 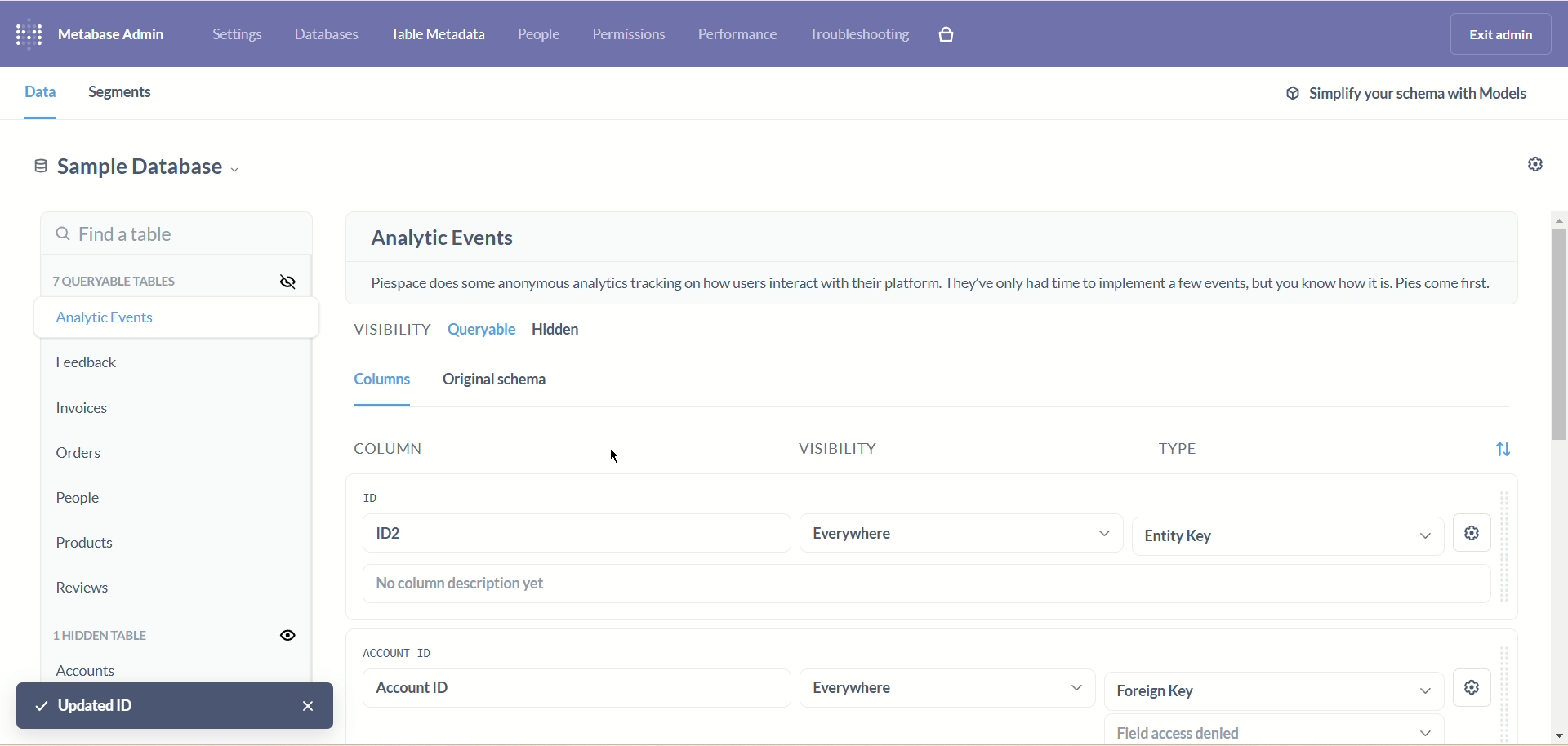 What do you see at coordinates (635, 37) in the screenshot?
I see `Permissions` at bounding box center [635, 37].